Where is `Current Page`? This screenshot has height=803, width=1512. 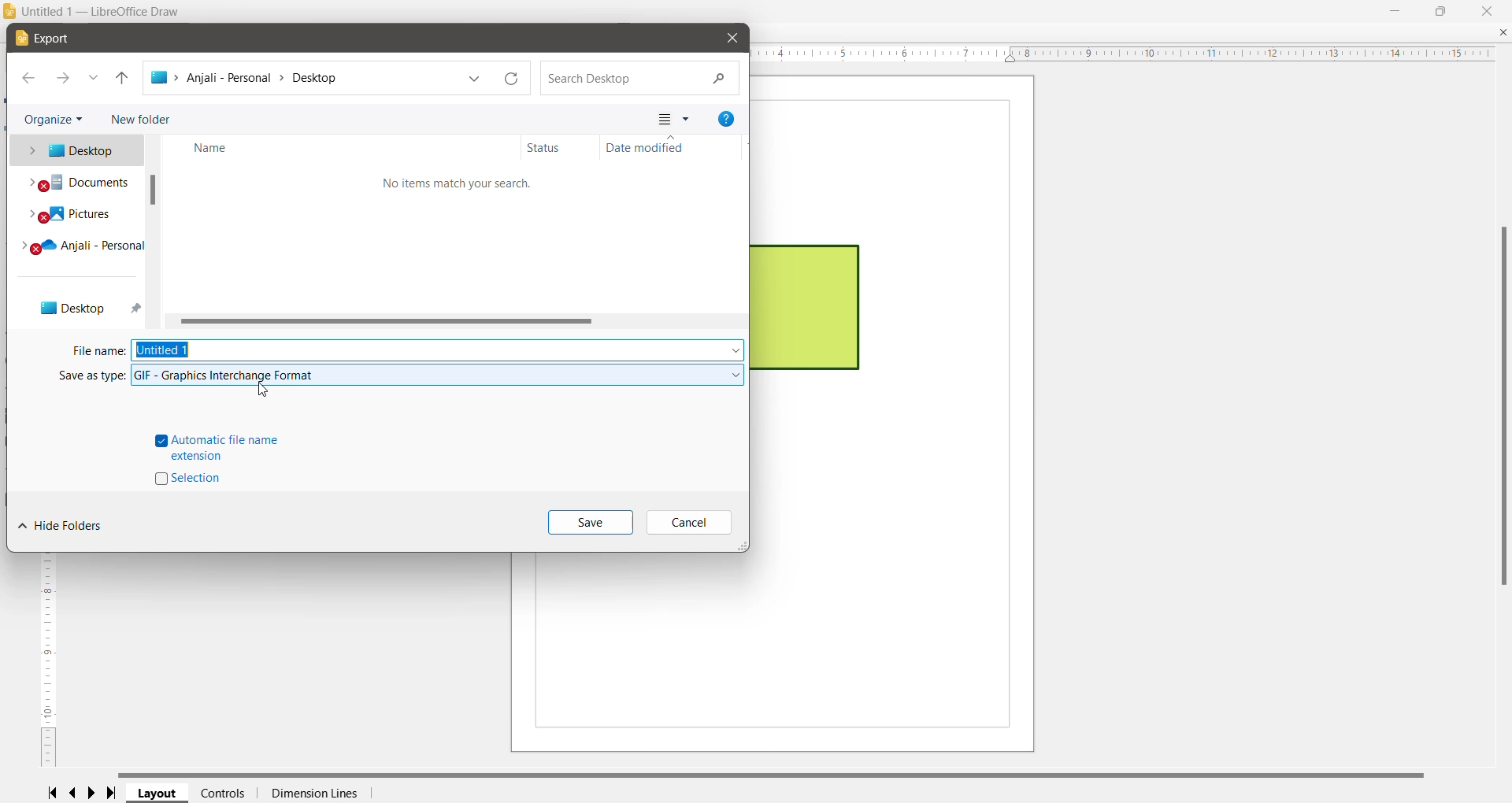
Current Page is located at coordinates (900, 414).